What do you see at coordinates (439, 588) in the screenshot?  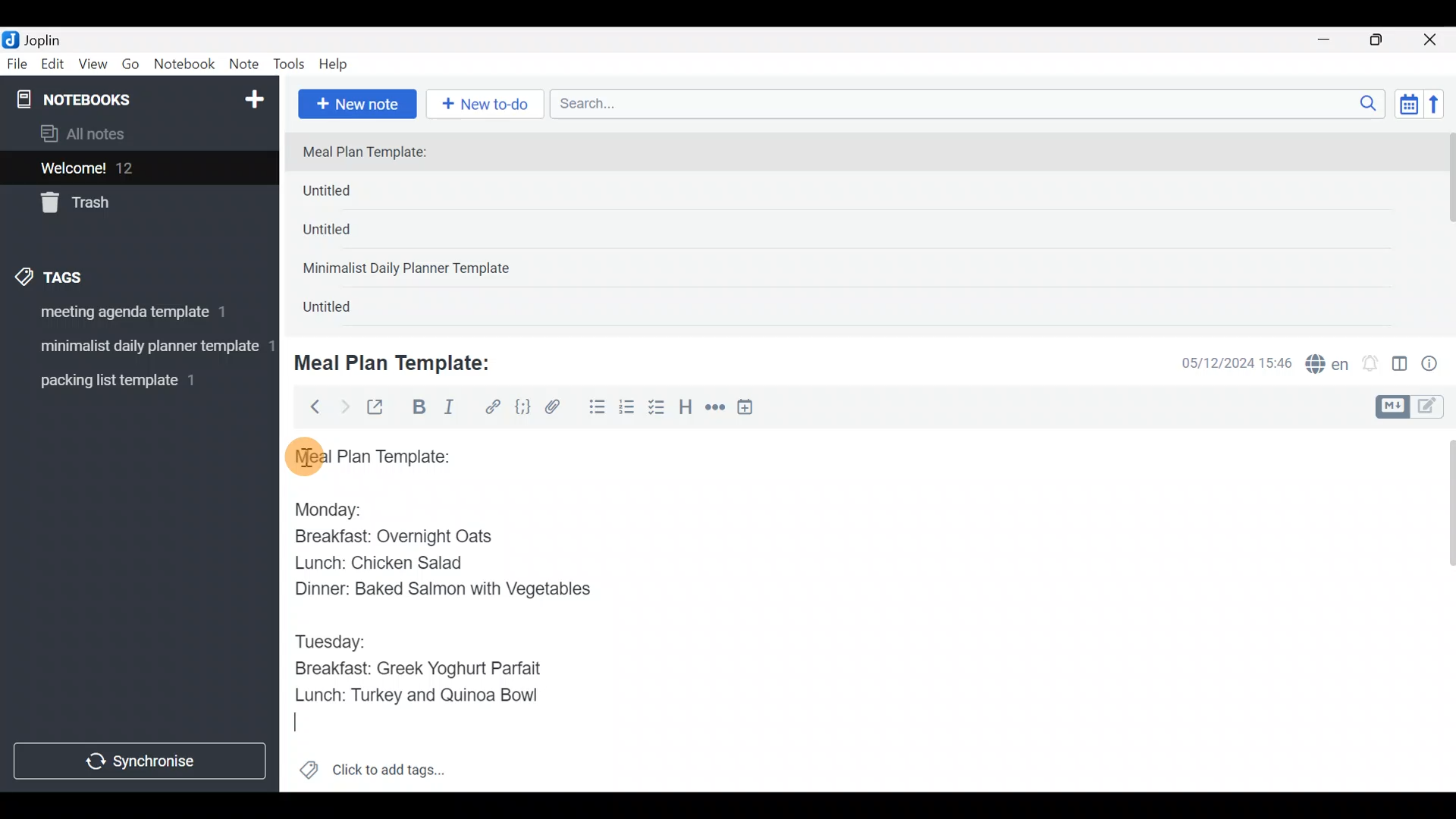 I see `Dinner: Baked Salmon with Vegetables` at bounding box center [439, 588].